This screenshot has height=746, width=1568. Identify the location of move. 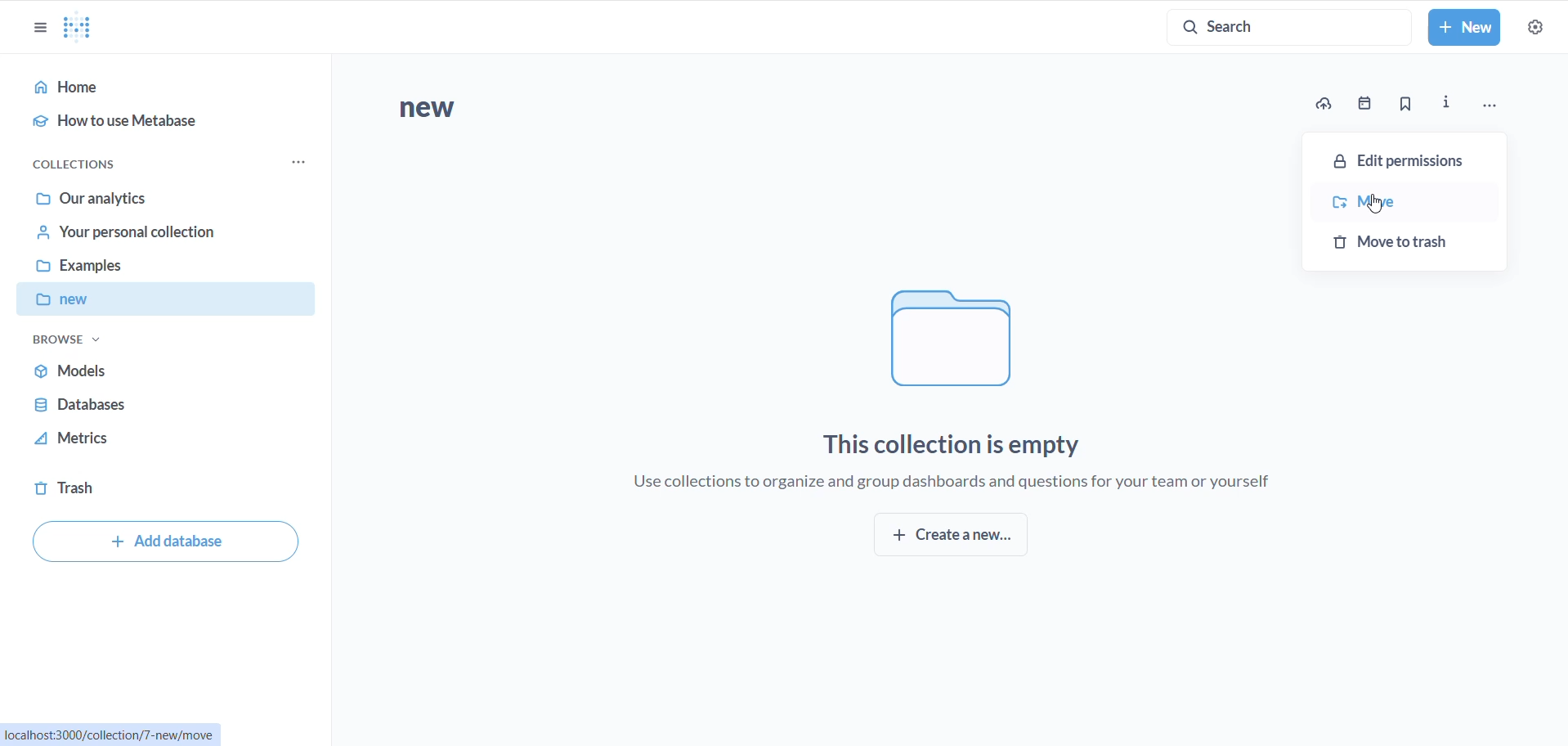
(1400, 204).